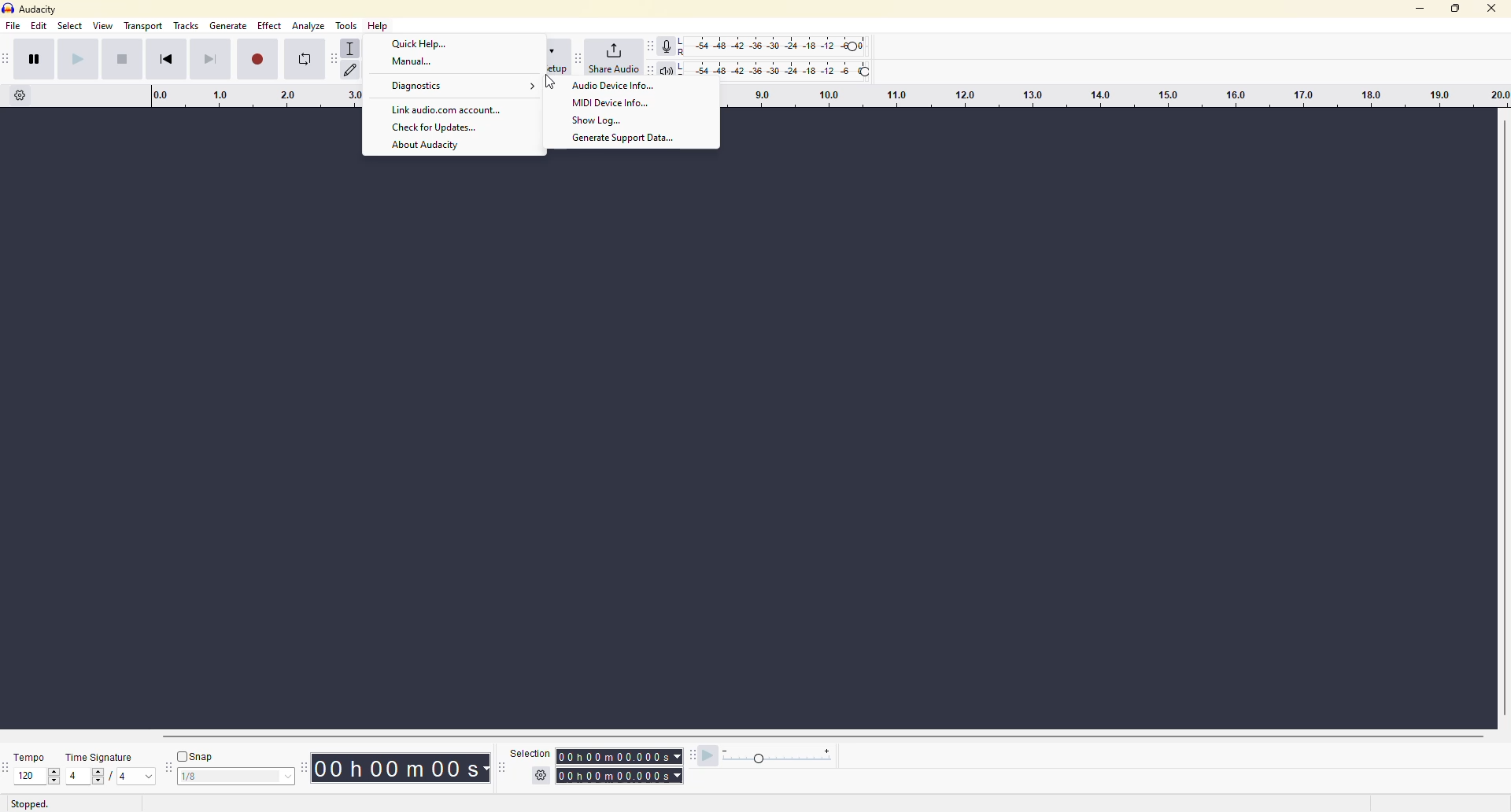 This screenshot has width=1511, height=812. I want to click on Link audio.com account., so click(448, 110).